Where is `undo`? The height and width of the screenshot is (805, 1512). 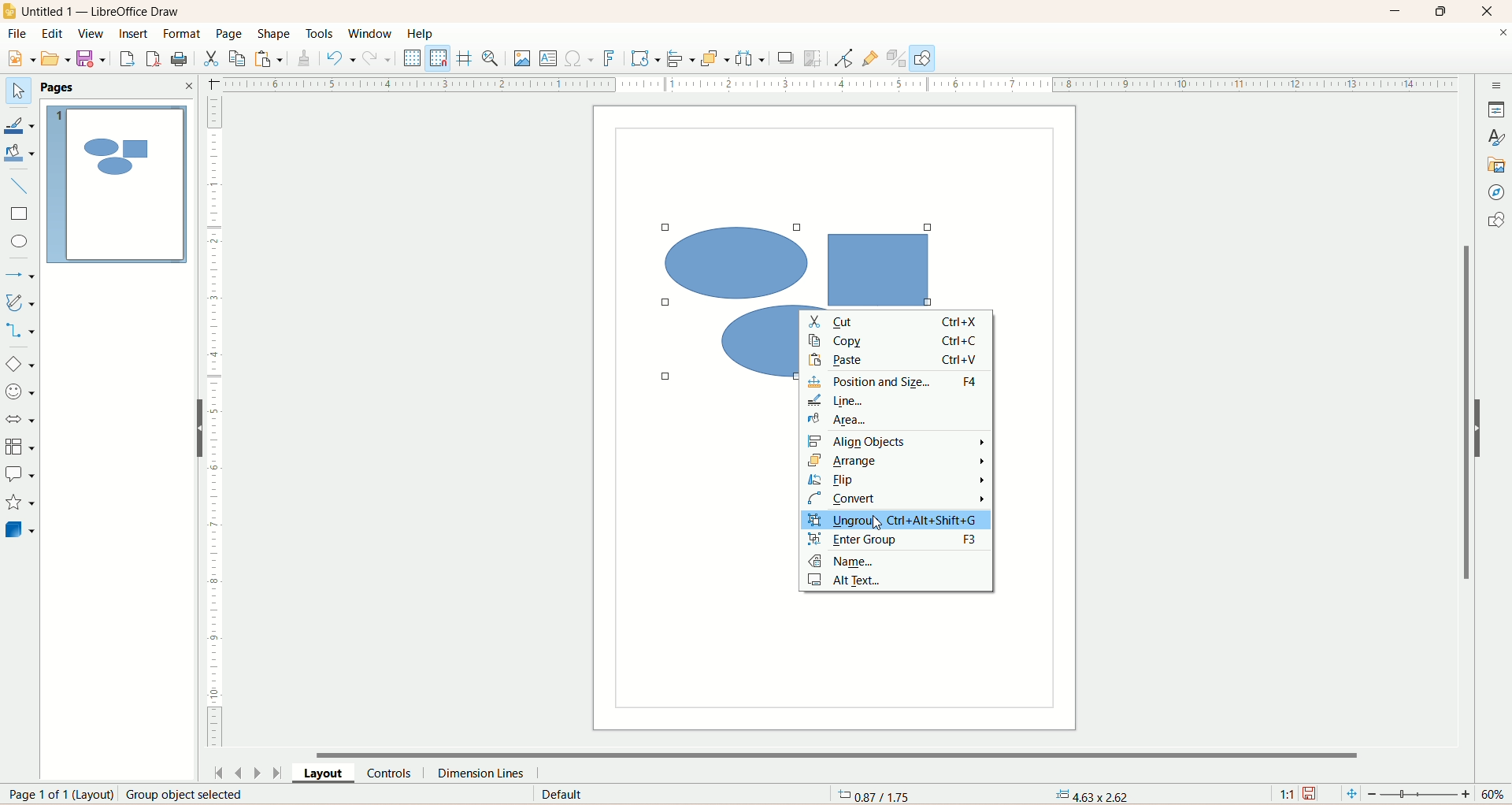 undo is located at coordinates (339, 58).